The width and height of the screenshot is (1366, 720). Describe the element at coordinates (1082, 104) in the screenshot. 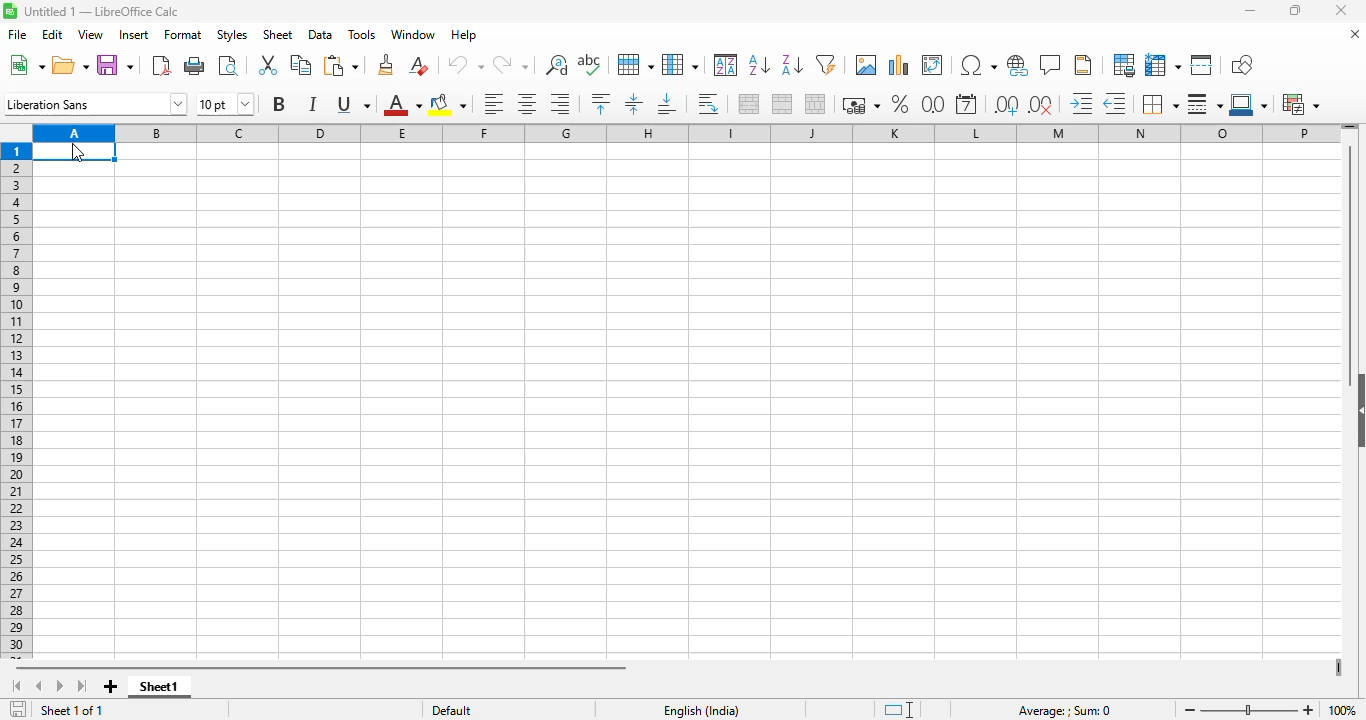

I see `increase indent` at that location.